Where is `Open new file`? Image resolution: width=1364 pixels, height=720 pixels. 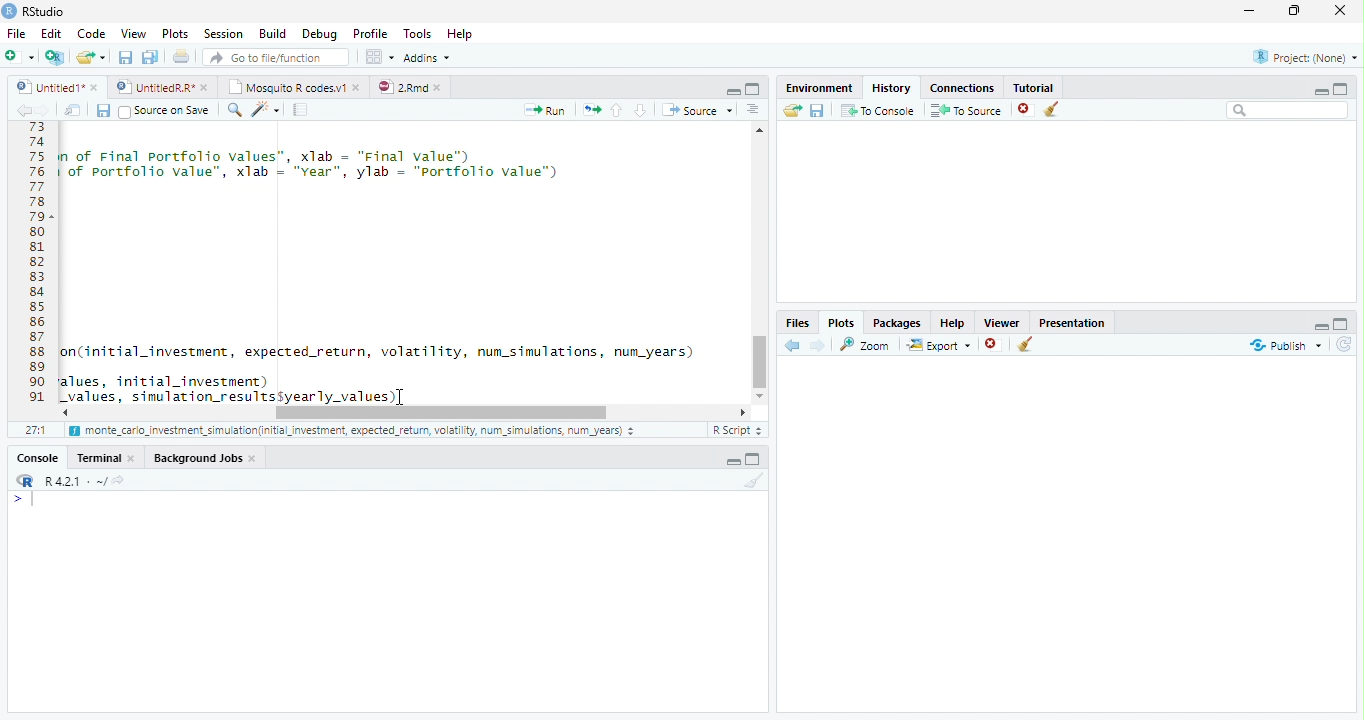 Open new file is located at coordinates (19, 56).